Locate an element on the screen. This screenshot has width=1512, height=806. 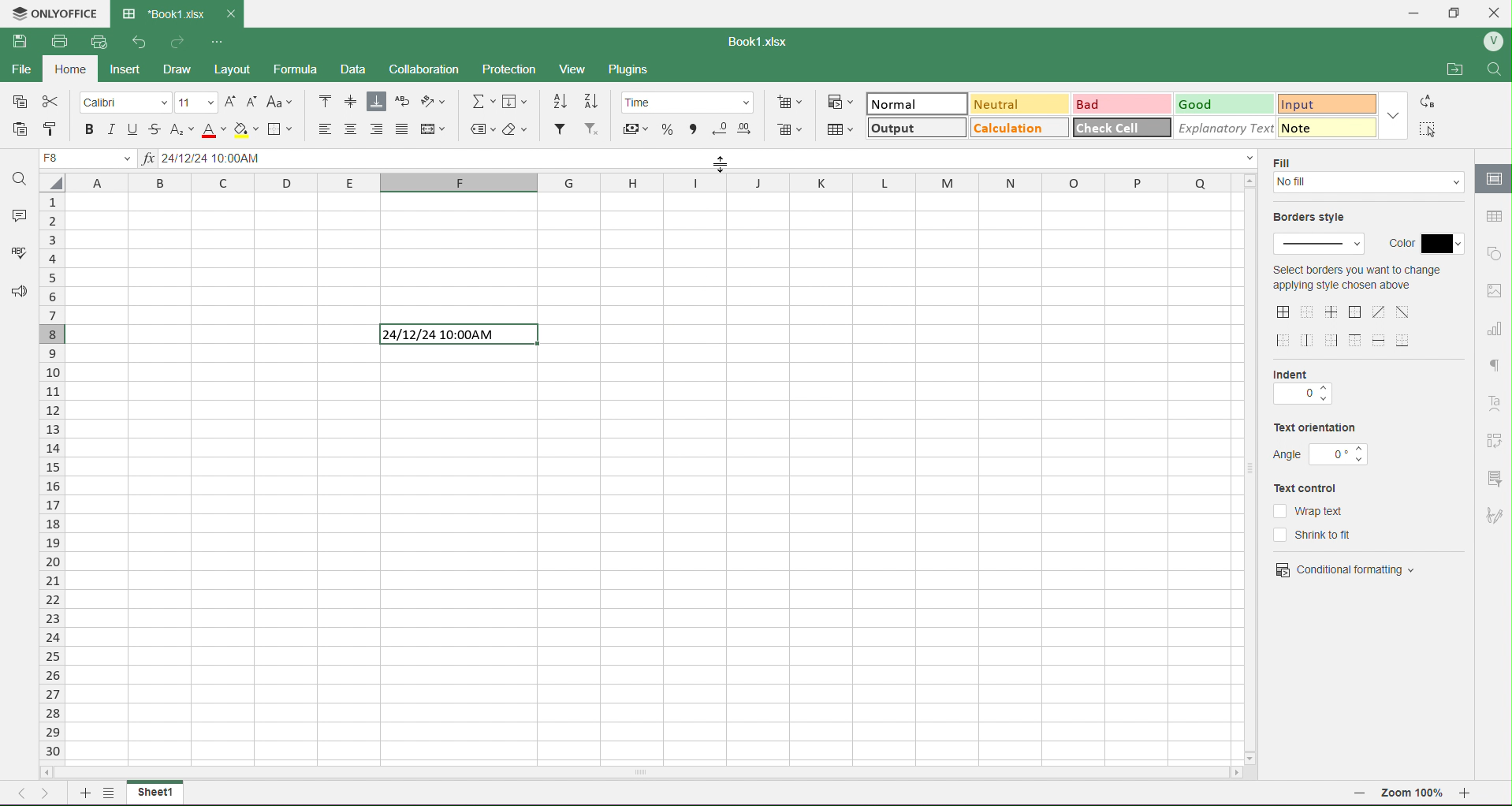
Change Case is located at coordinates (282, 103).